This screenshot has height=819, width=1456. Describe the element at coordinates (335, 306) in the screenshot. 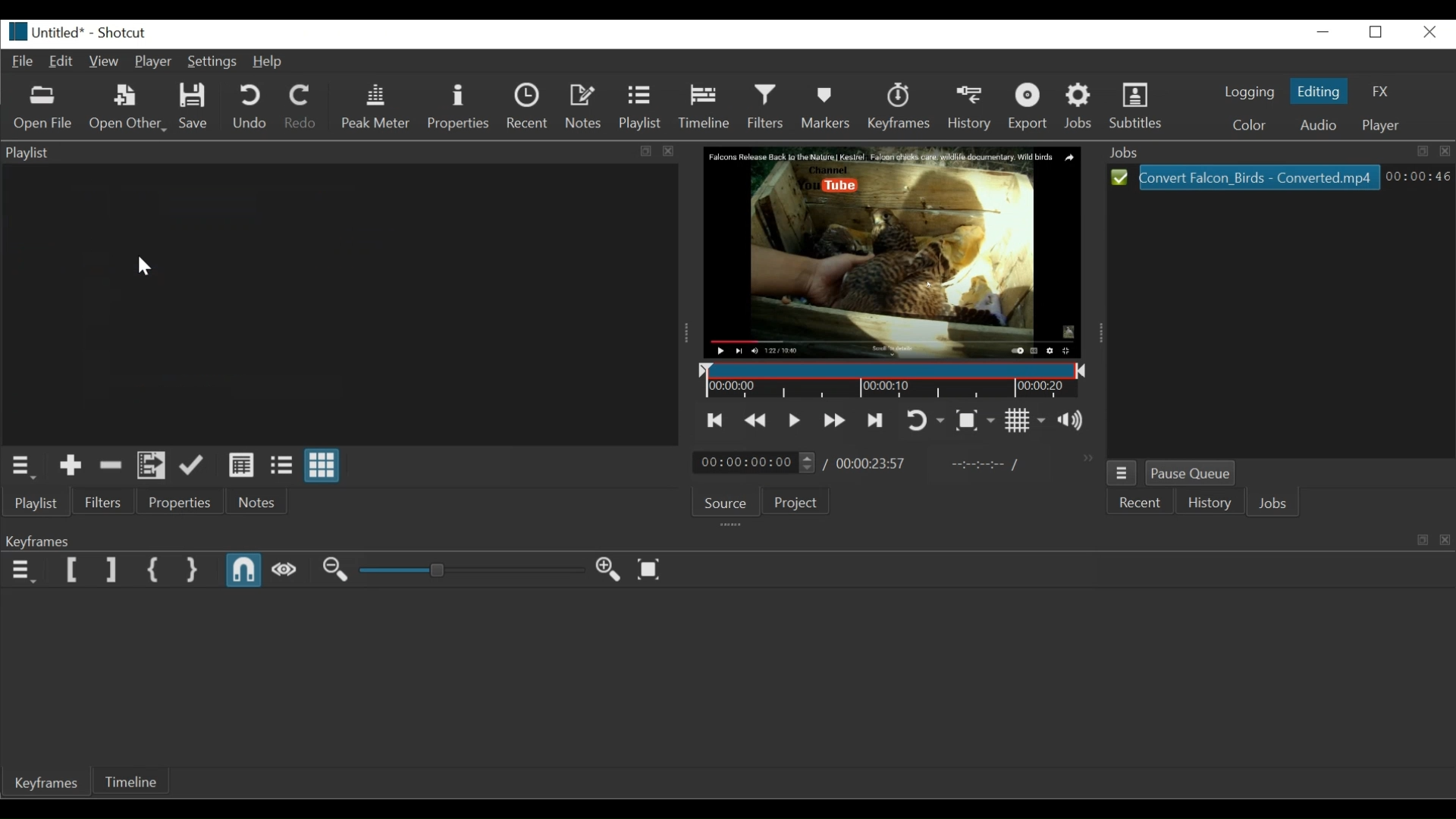

I see `Playlist thumbnail space` at that location.